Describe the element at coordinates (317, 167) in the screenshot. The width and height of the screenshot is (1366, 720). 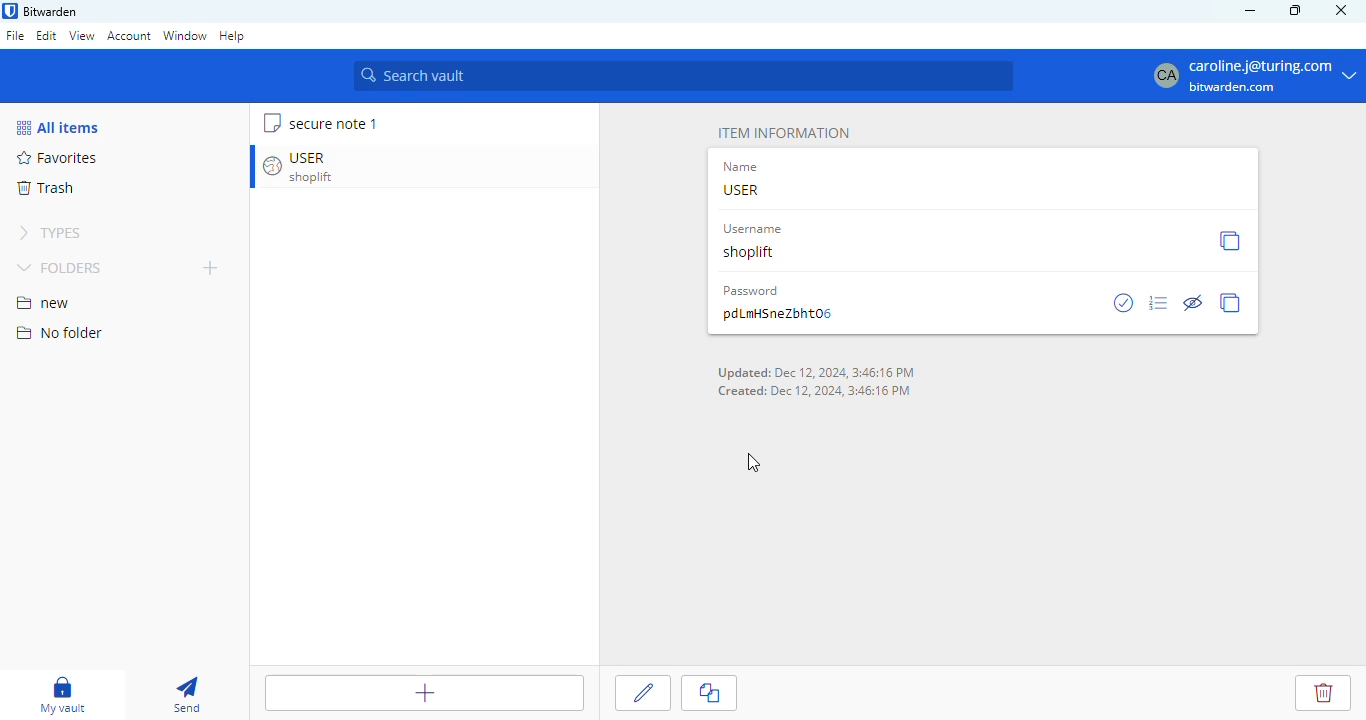
I see `USER   shoplift` at that location.